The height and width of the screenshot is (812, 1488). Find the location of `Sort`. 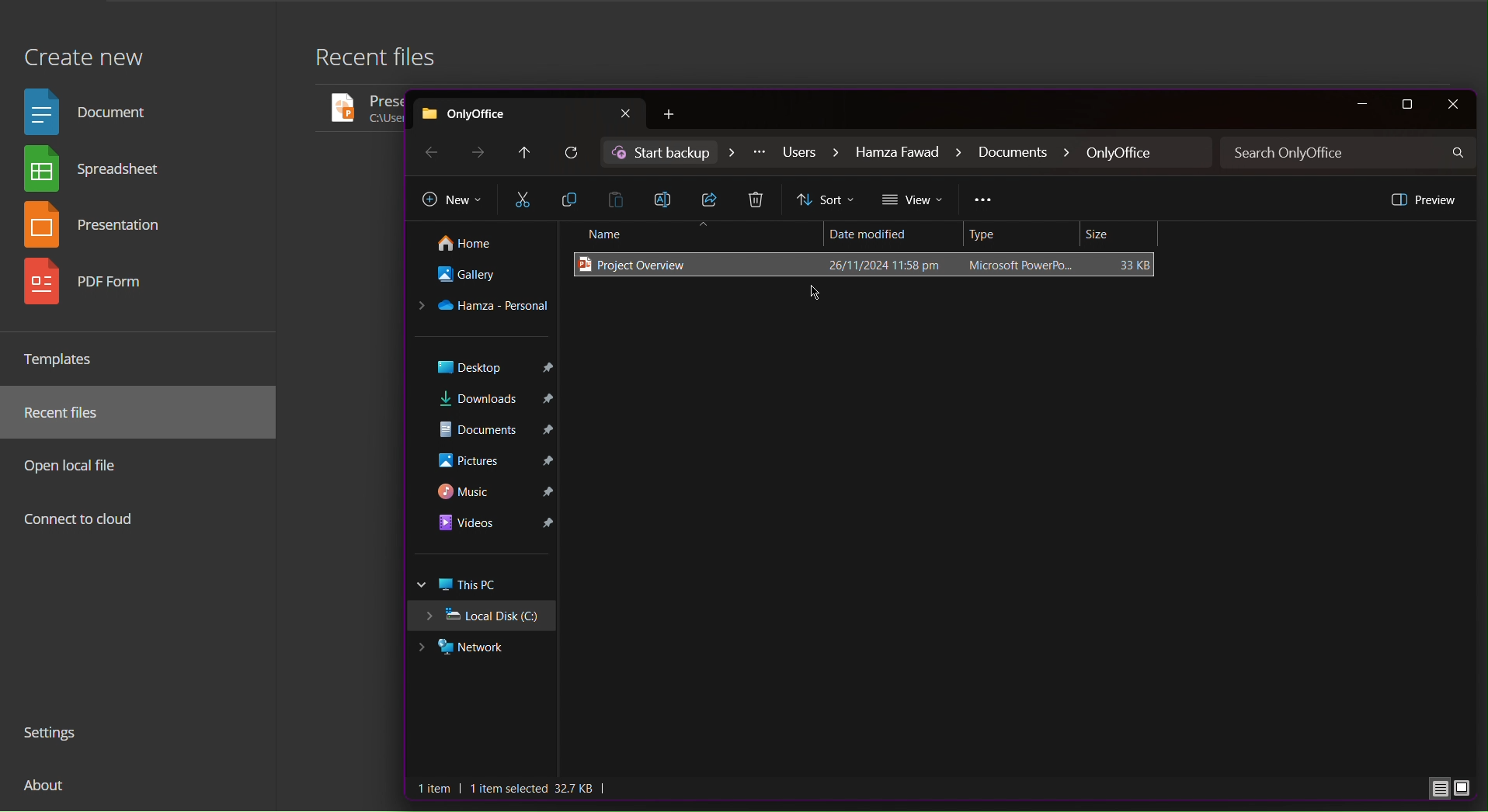

Sort is located at coordinates (827, 200).